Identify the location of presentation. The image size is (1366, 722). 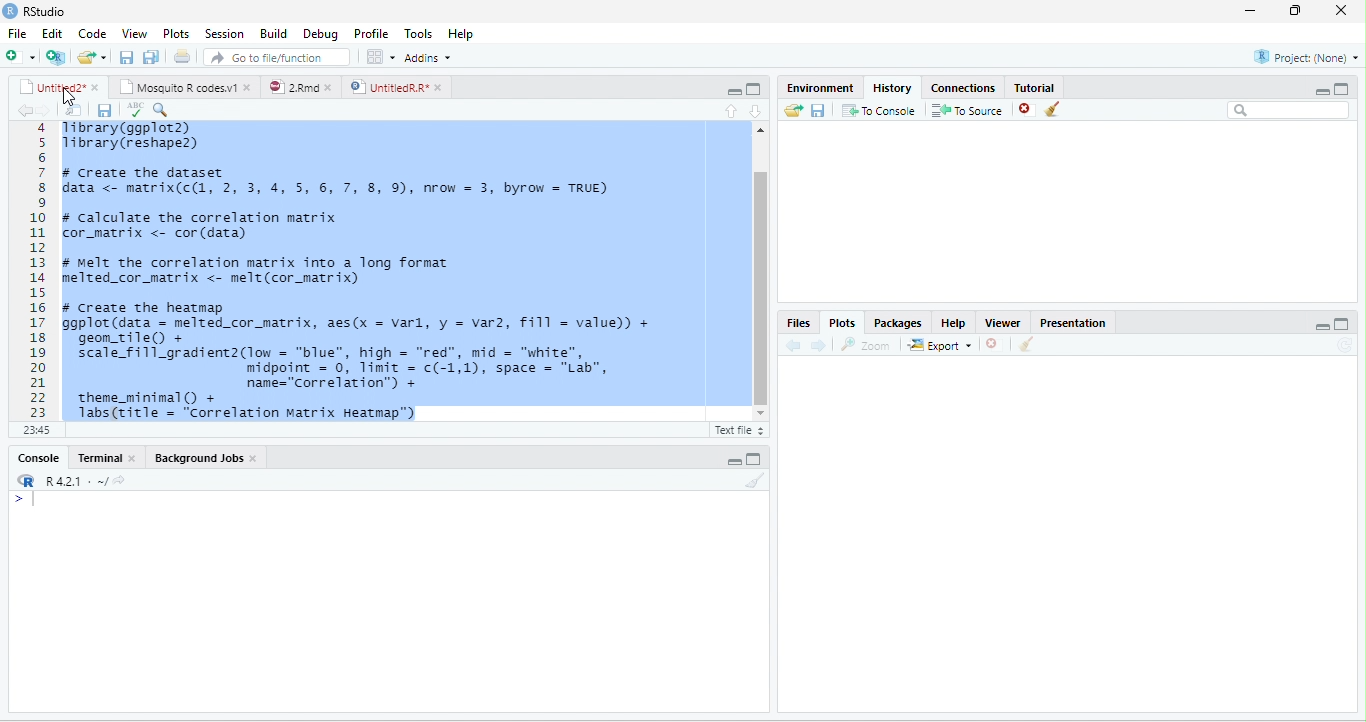
(1077, 320).